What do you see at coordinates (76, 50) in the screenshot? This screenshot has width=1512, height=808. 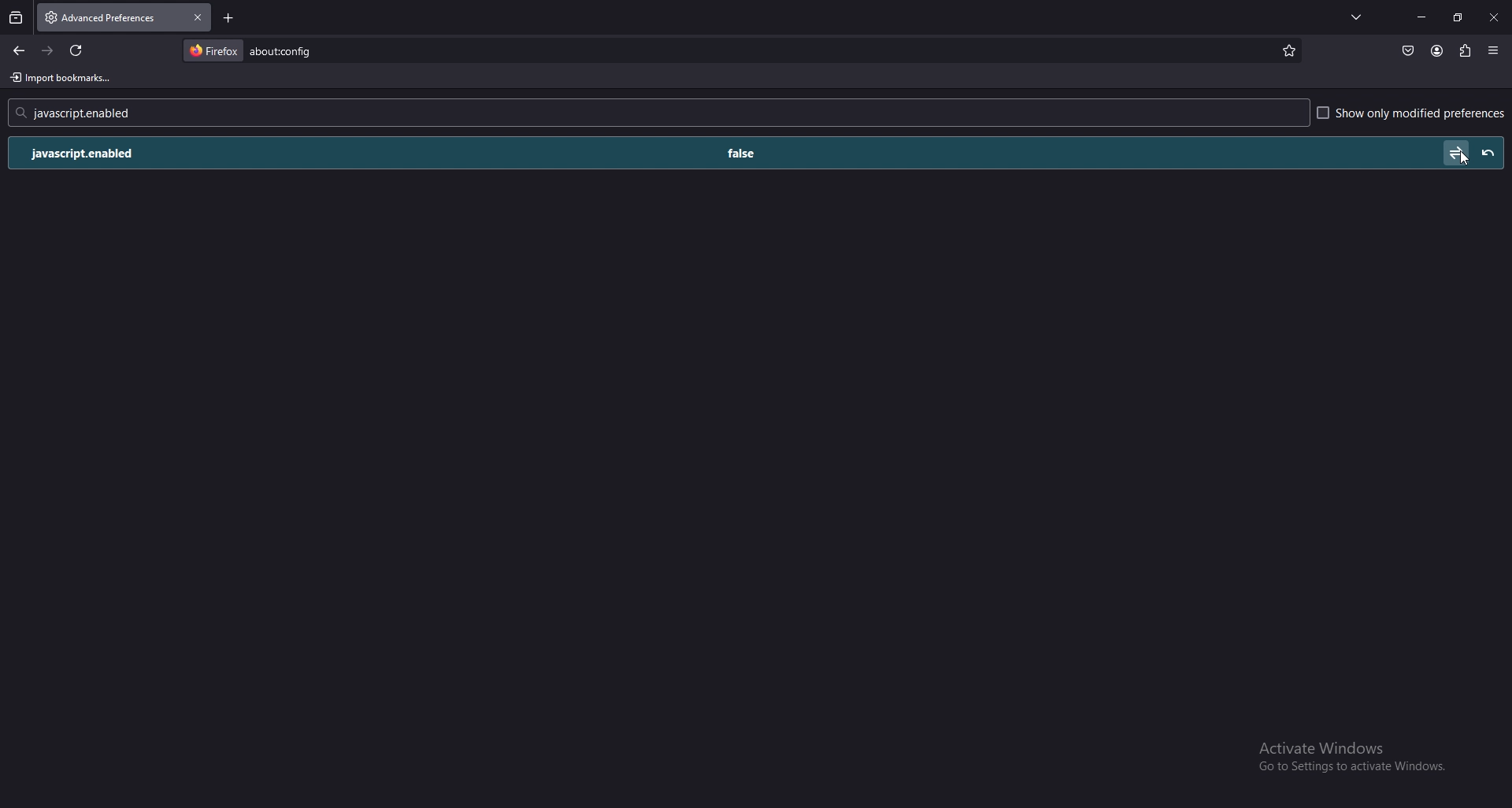 I see `refresh` at bounding box center [76, 50].